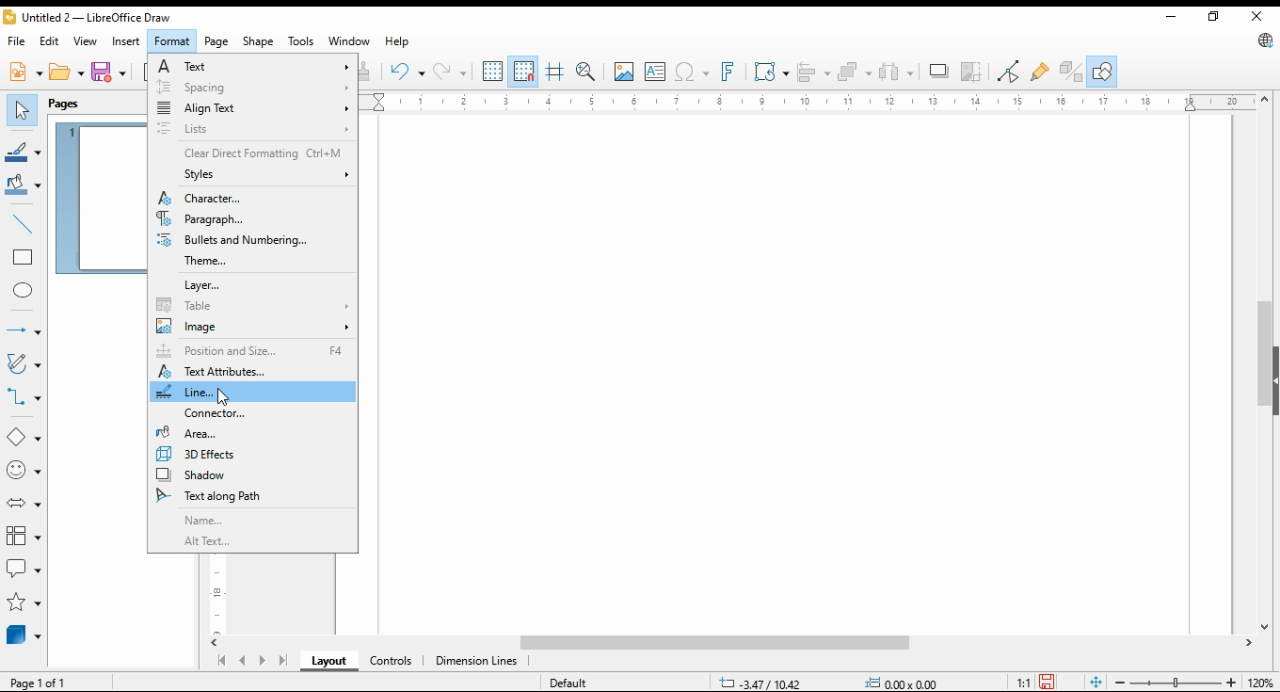 This screenshot has height=692, width=1280. What do you see at coordinates (22, 110) in the screenshot?
I see `select` at bounding box center [22, 110].